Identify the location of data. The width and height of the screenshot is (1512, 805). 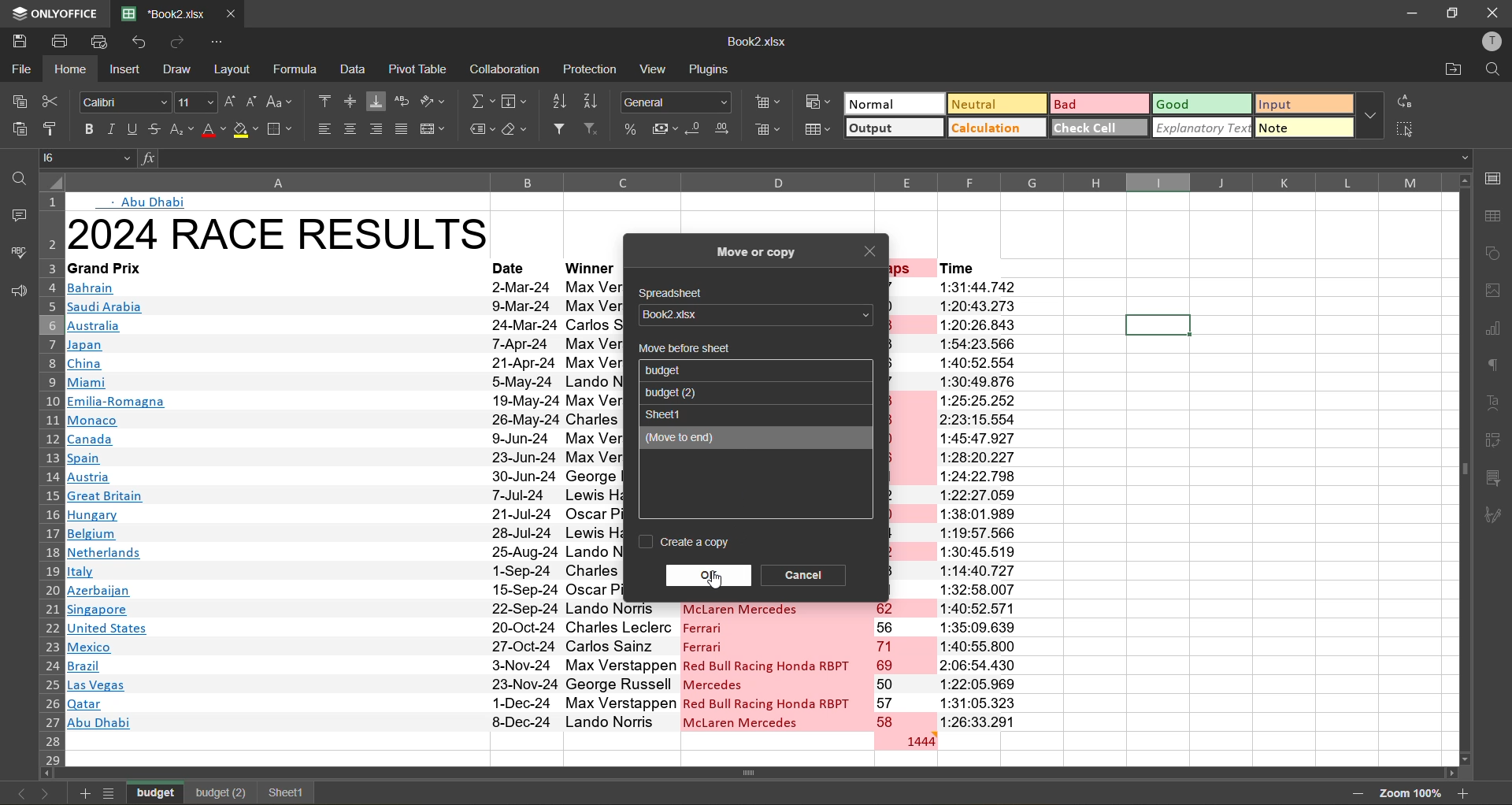
(354, 70).